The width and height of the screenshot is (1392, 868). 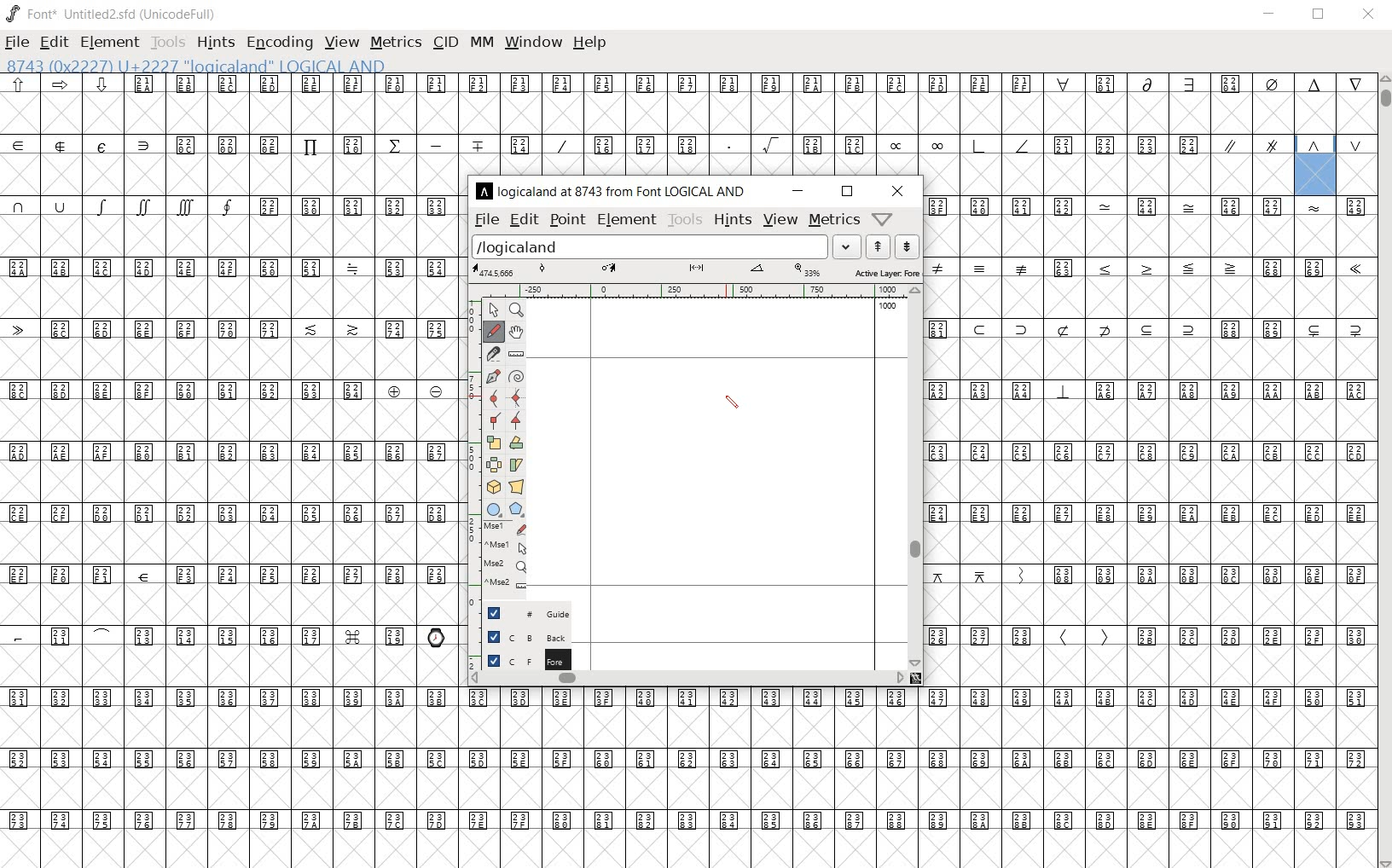 What do you see at coordinates (731, 222) in the screenshot?
I see `hints` at bounding box center [731, 222].